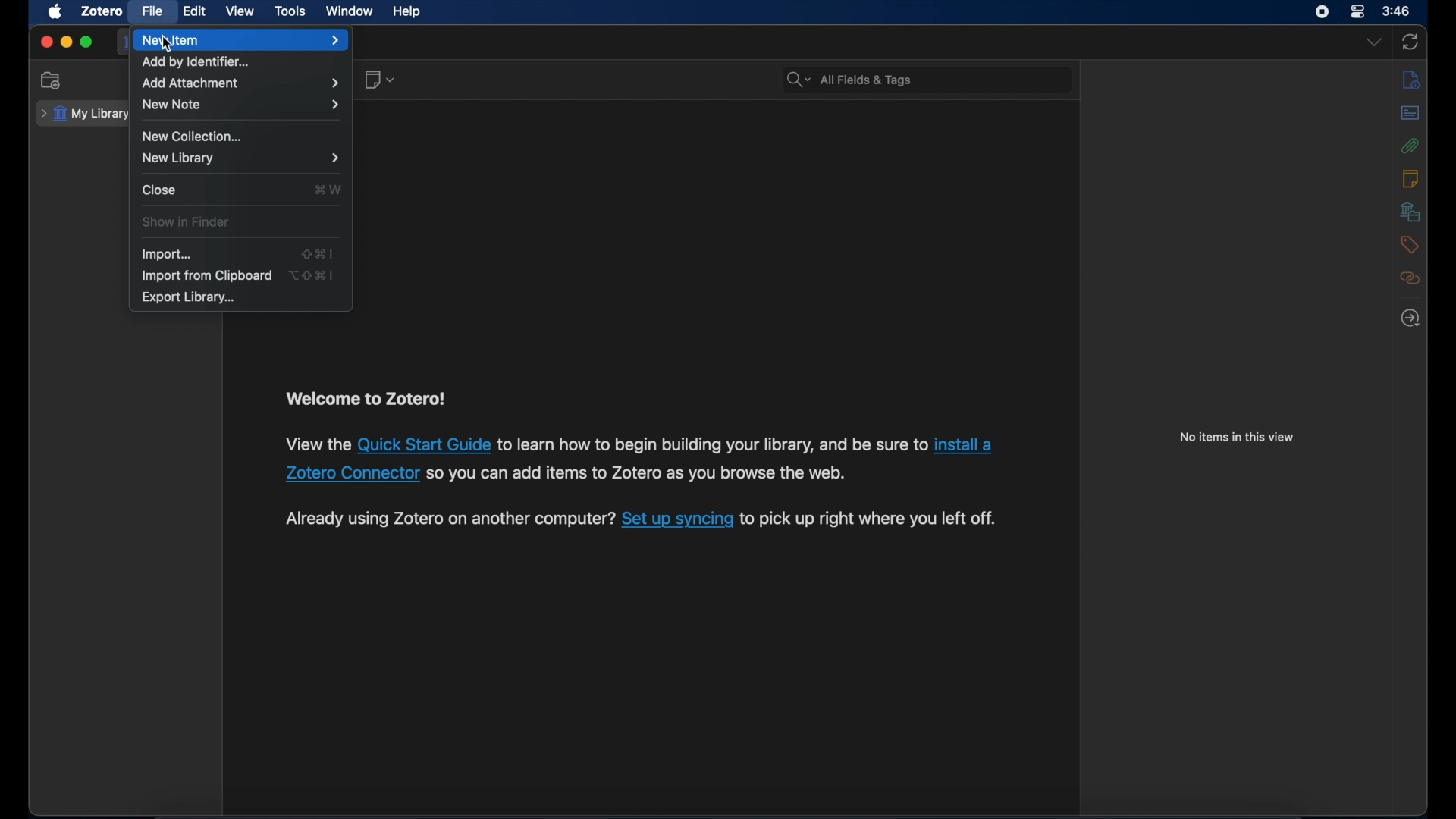 Image resolution: width=1456 pixels, height=819 pixels. What do you see at coordinates (1409, 43) in the screenshot?
I see `sync` at bounding box center [1409, 43].